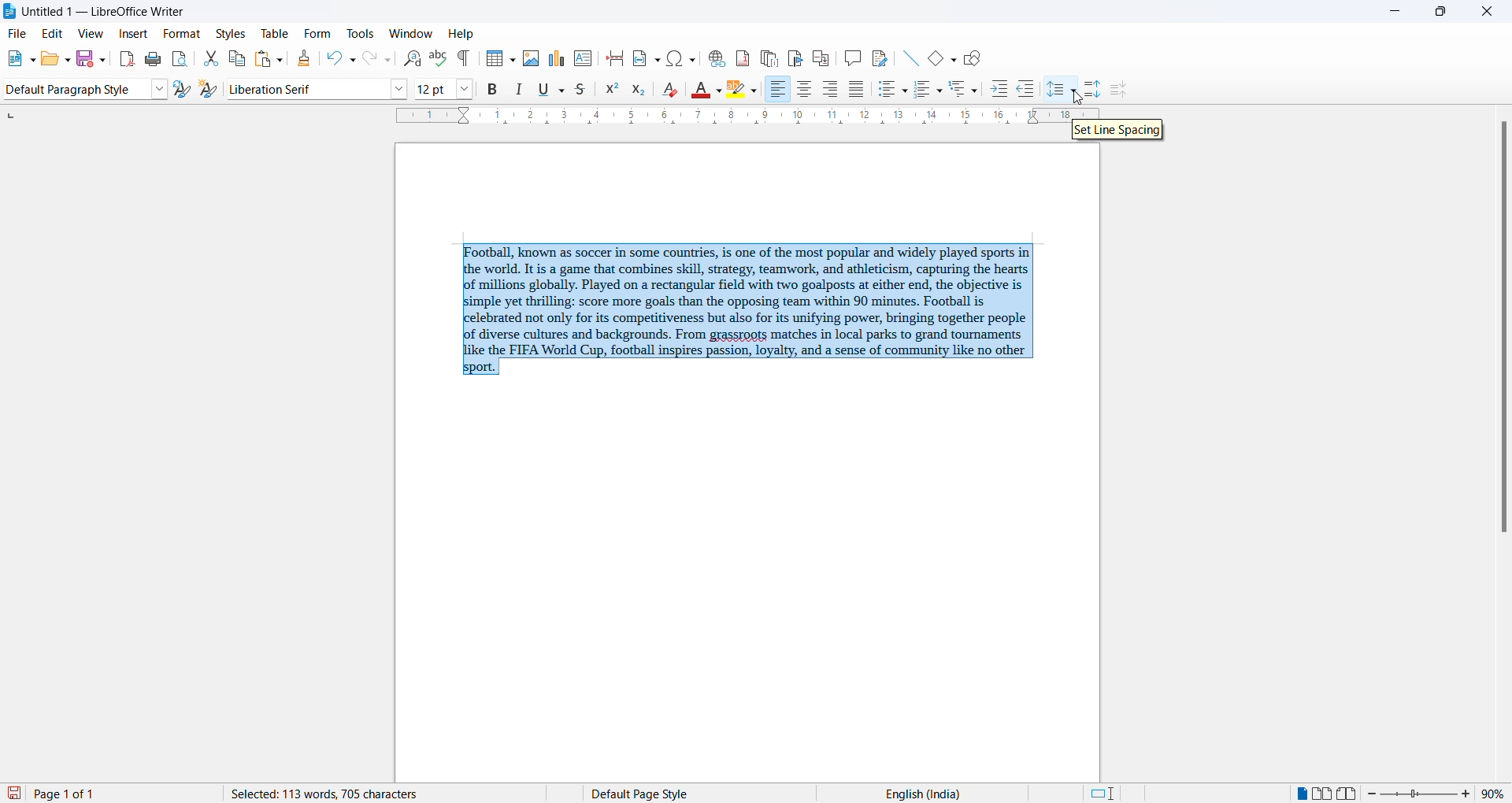 The image size is (1512, 803). What do you see at coordinates (584, 58) in the screenshot?
I see `insert text` at bounding box center [584, 58].